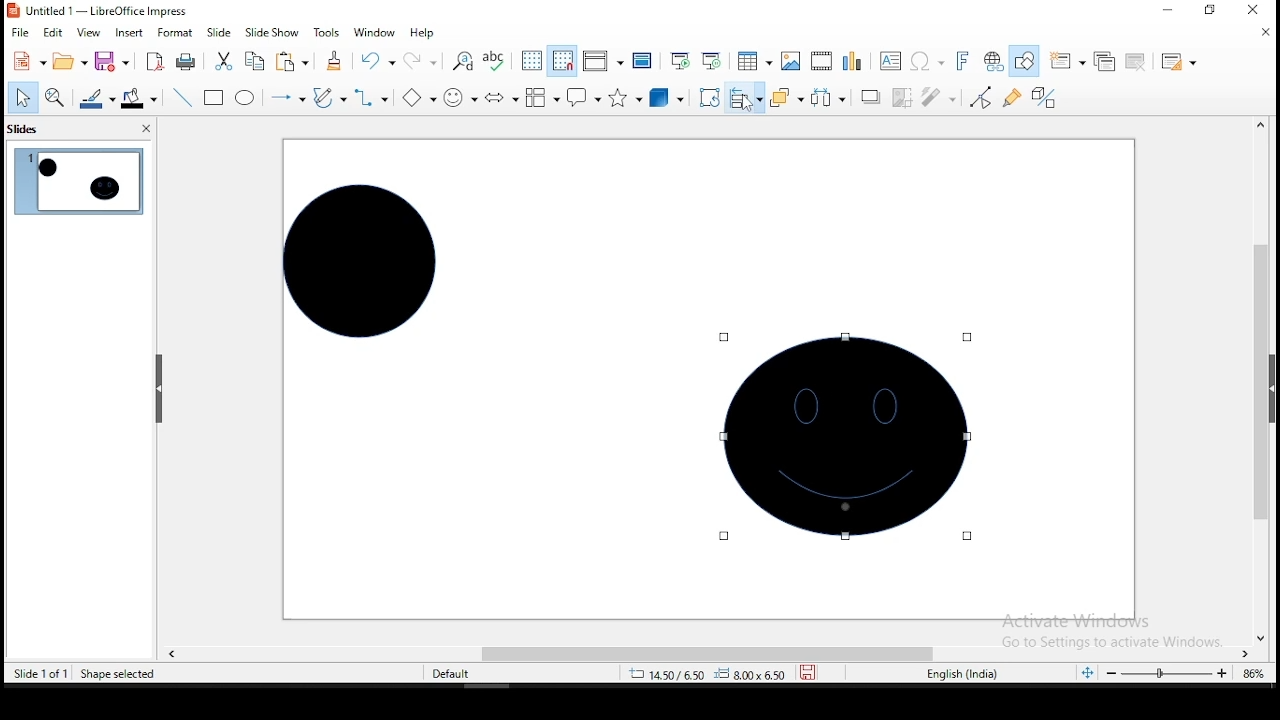 The height and width of the screenshot is (720, 1280). I want to click on show draw functions, so click(1028, 61).